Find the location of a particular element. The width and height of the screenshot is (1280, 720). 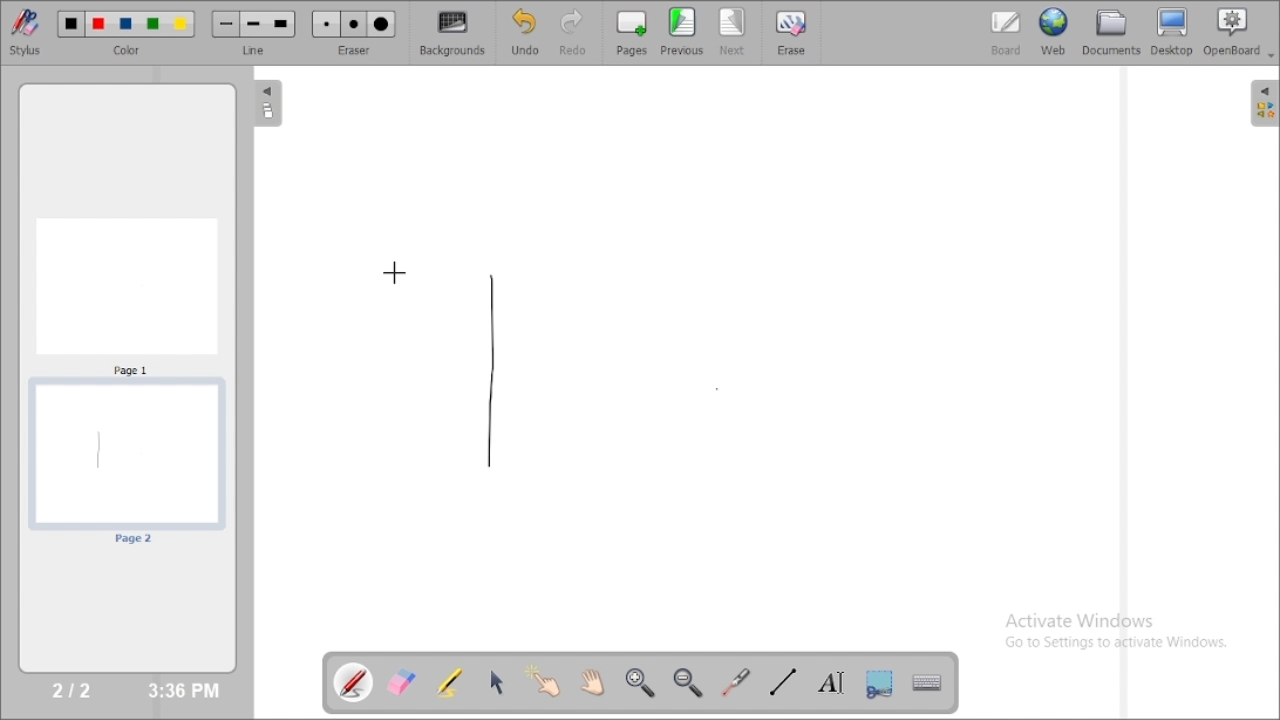

zoom in is located at coordinates (639, 683).